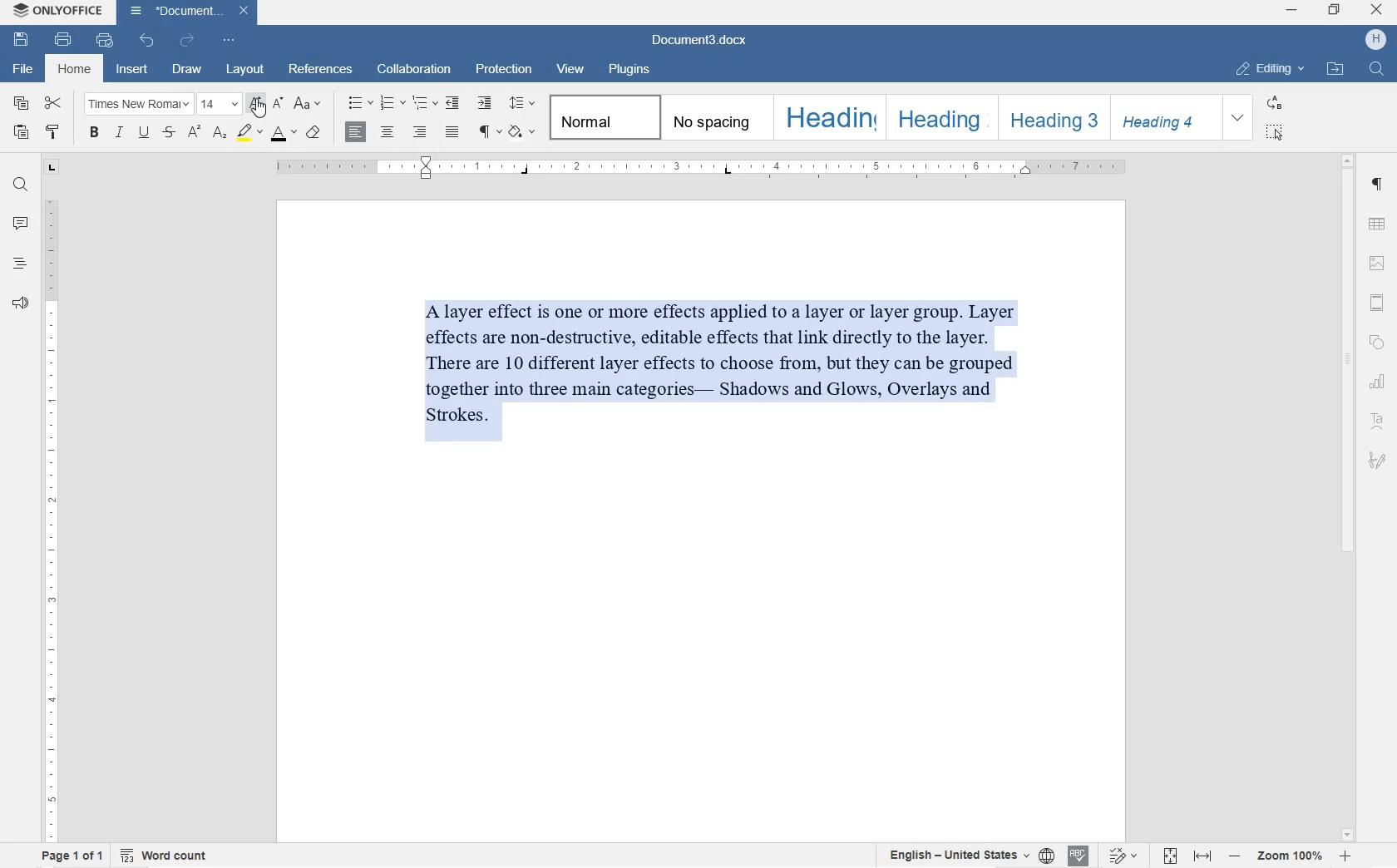 Image resolution: width=1397 pixels, height=868 pixels. Describe the element at coordinates (21, 264) in the screenshot. I see `headings` at that location.